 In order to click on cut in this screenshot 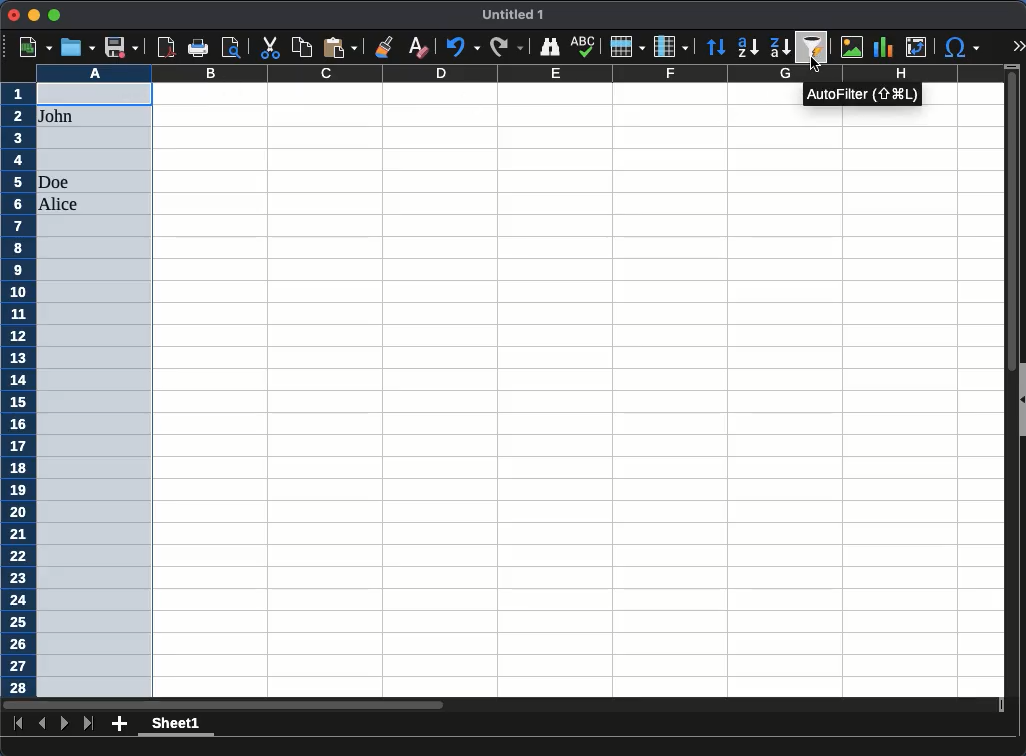, I will do `click(269, 47)`.